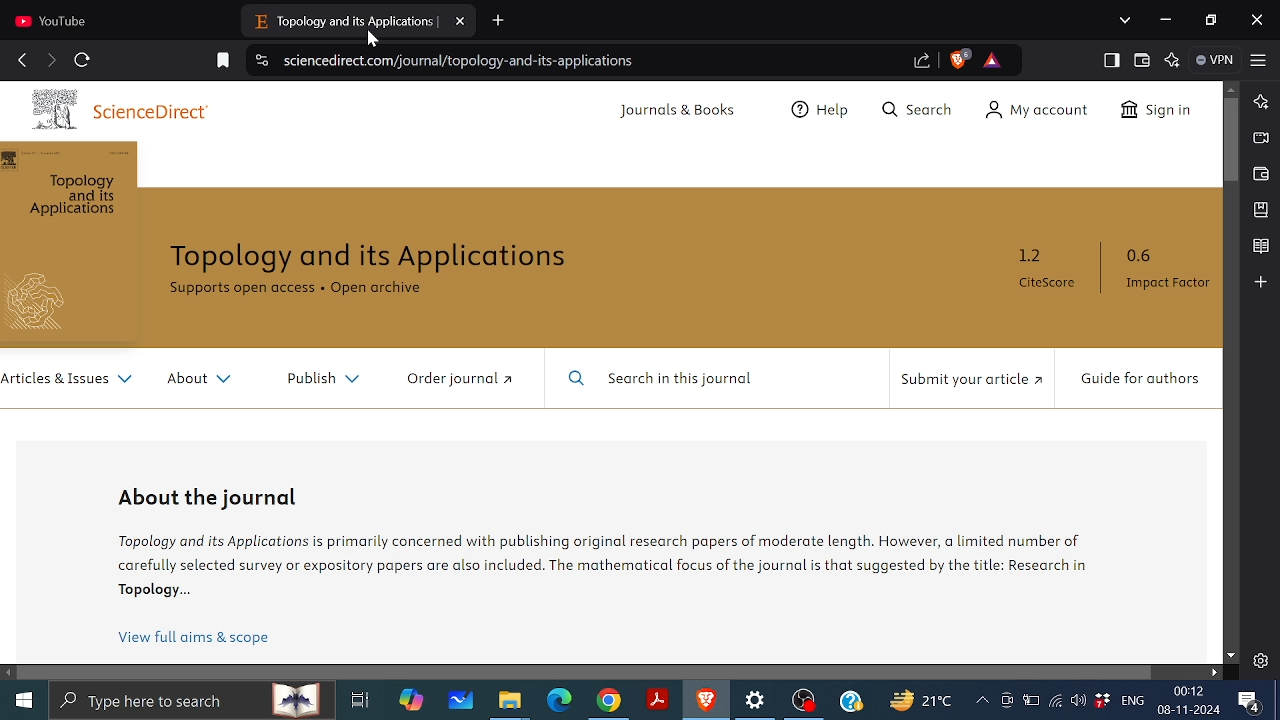 The height and width of the screenshot is (720, 1280). I want to click on Adobe reader, so click(658, 700).